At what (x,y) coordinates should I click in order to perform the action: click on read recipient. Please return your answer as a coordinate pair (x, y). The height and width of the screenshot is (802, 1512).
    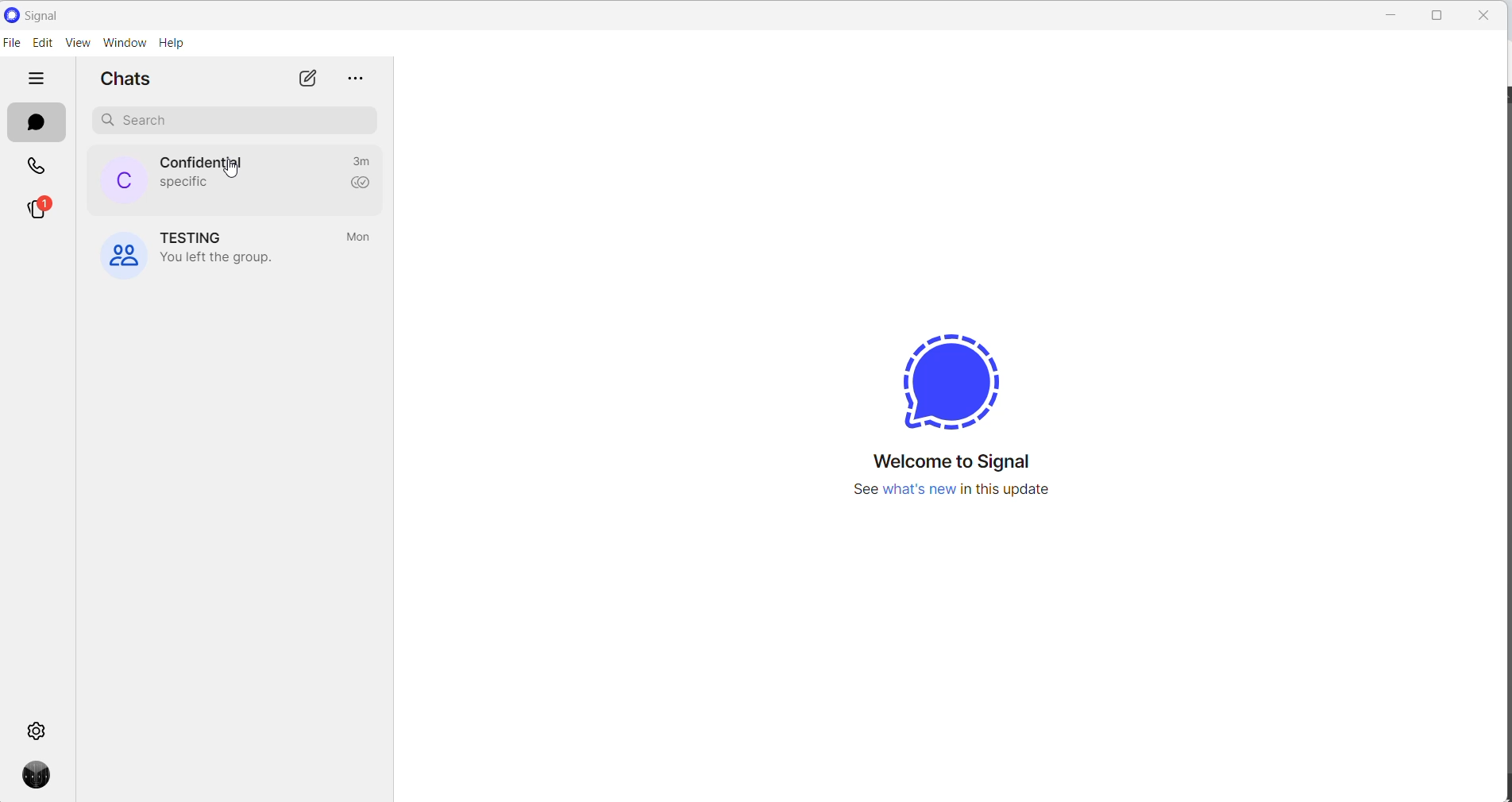
    Looking at the image, I should click on (364, 183).